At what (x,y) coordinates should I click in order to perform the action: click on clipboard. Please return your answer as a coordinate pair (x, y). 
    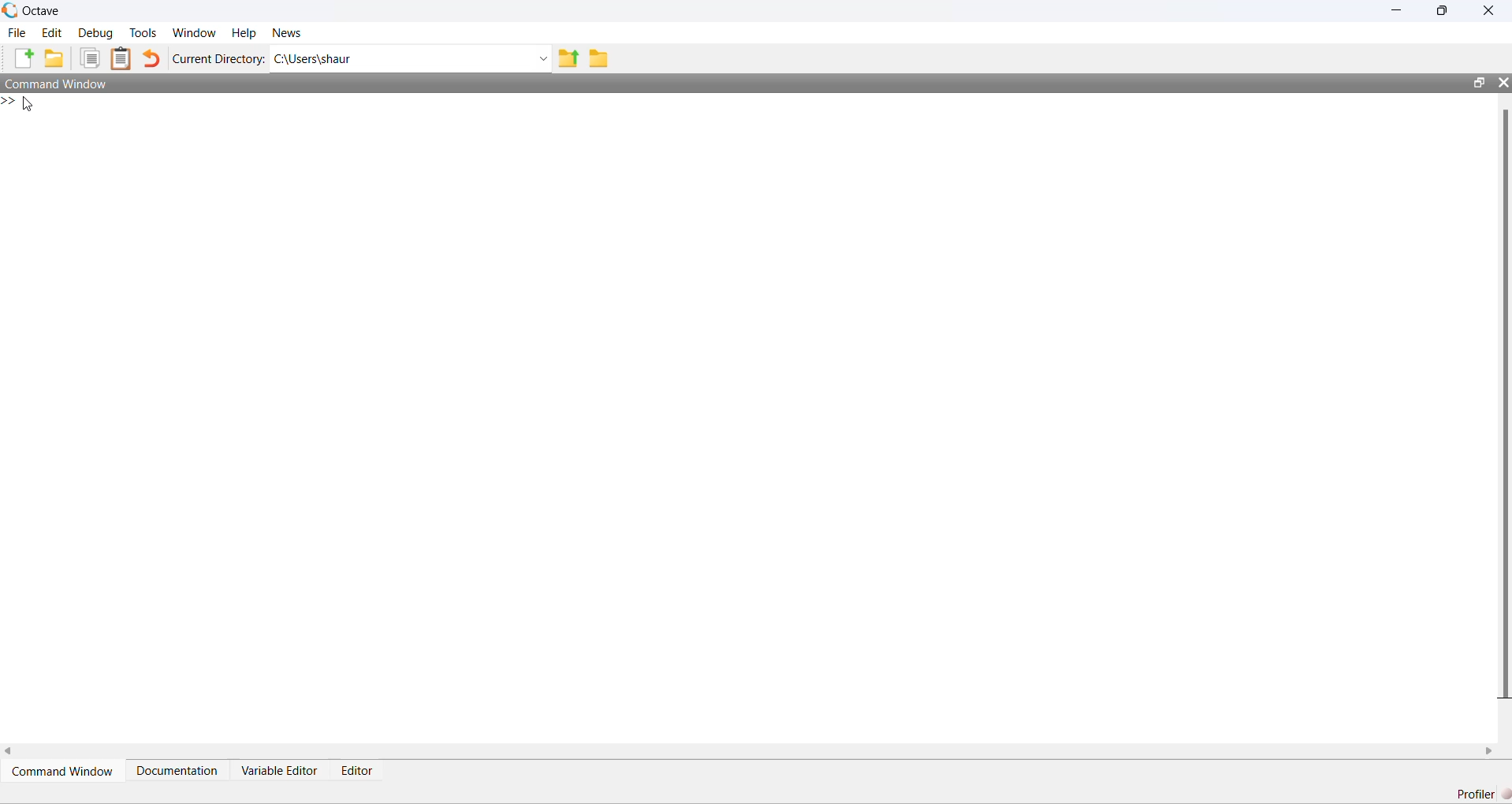
    Looking at the image, I should click on (121, 58).